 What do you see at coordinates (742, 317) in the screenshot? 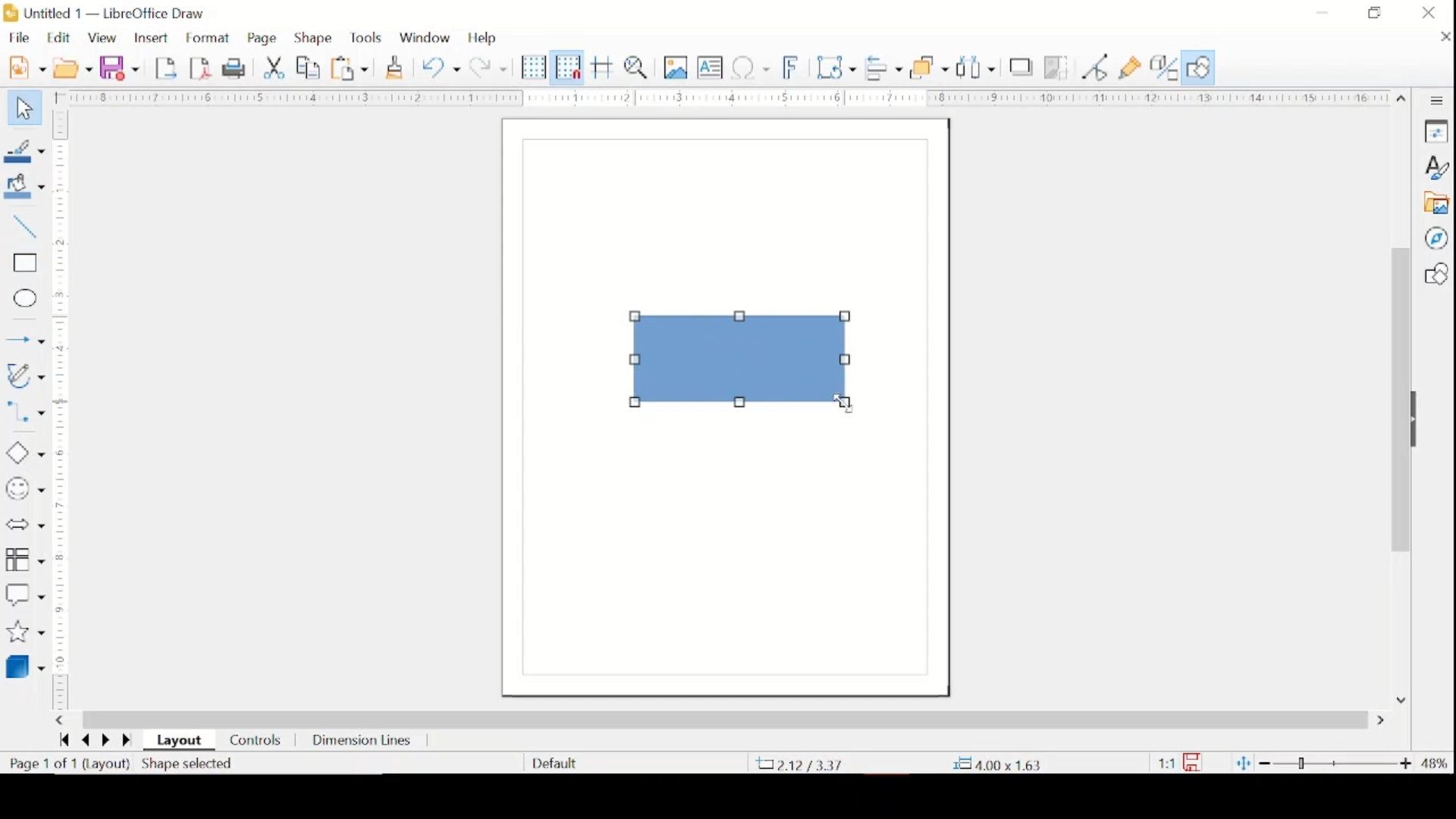
I see `resize handle` at bounding box center [742, 317].